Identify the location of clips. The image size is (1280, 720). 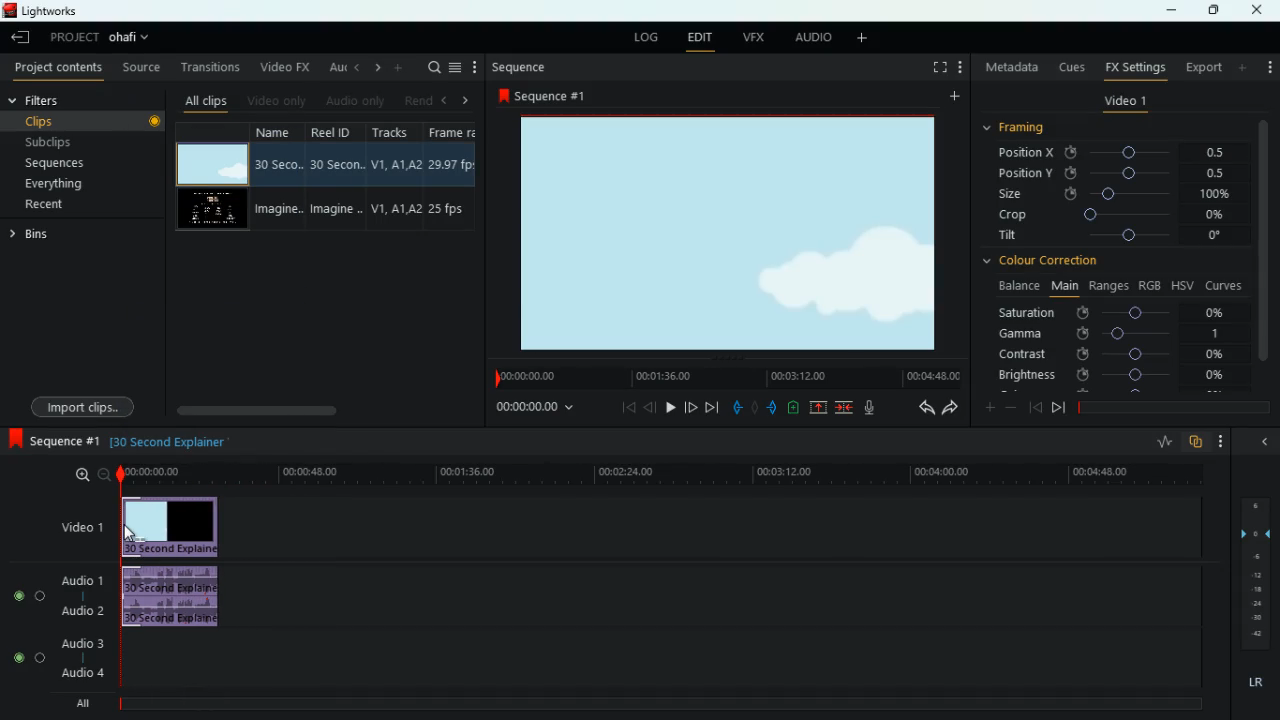
(87, 121).